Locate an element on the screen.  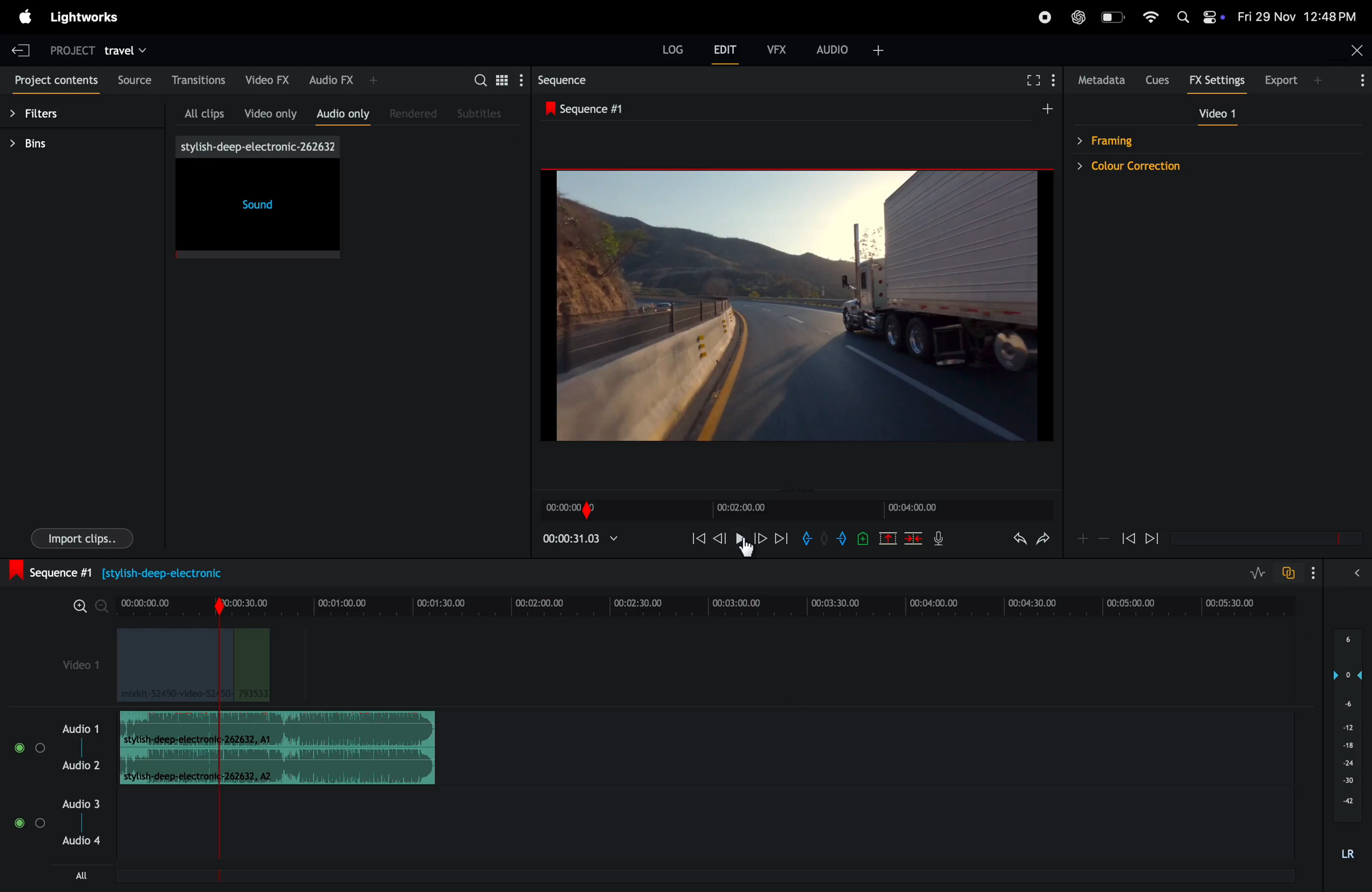
Mouse Cursor is located at coordinates (747, 553).